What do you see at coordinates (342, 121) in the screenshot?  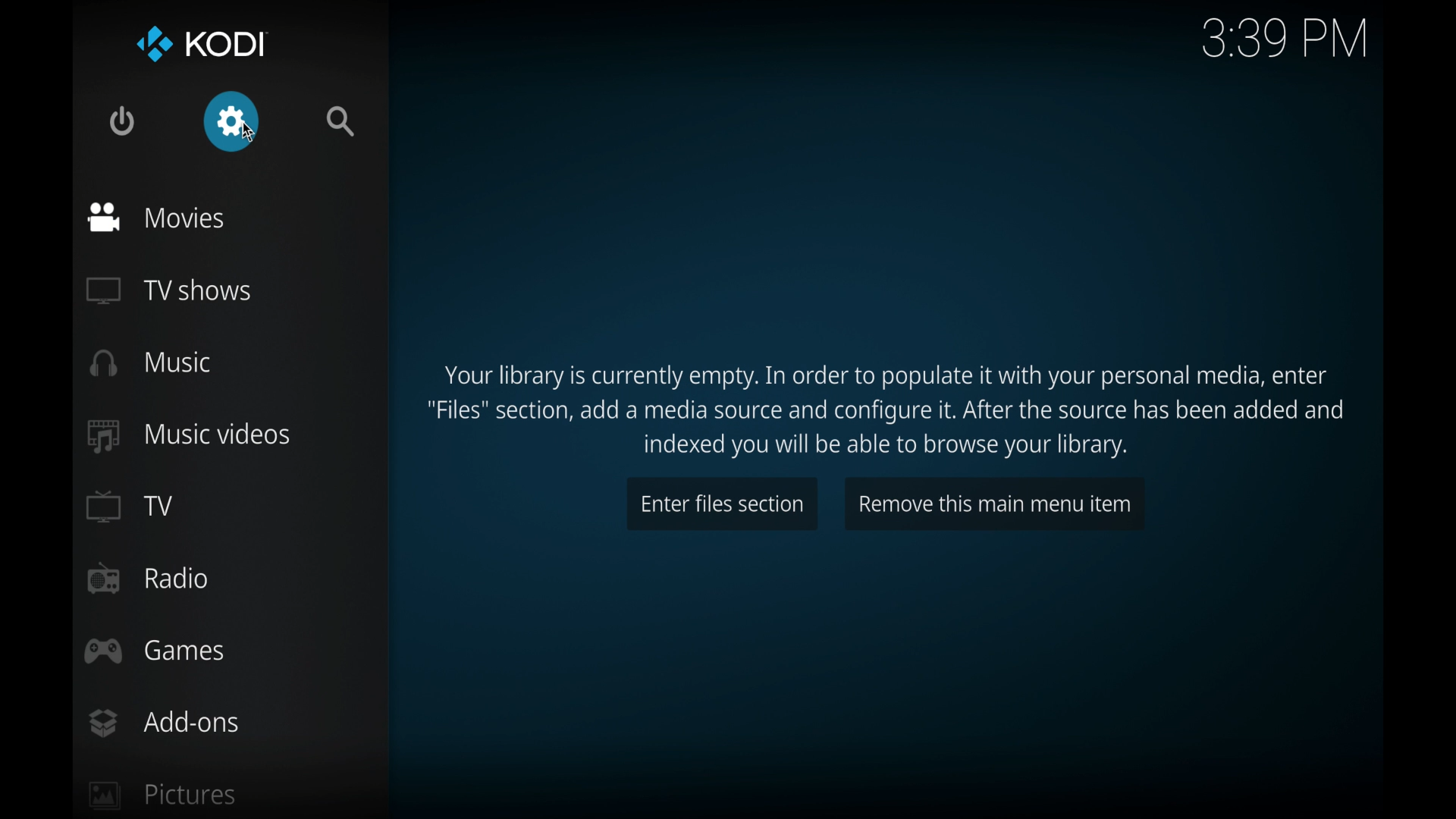 I see `search` at bounding box center [342, 121].